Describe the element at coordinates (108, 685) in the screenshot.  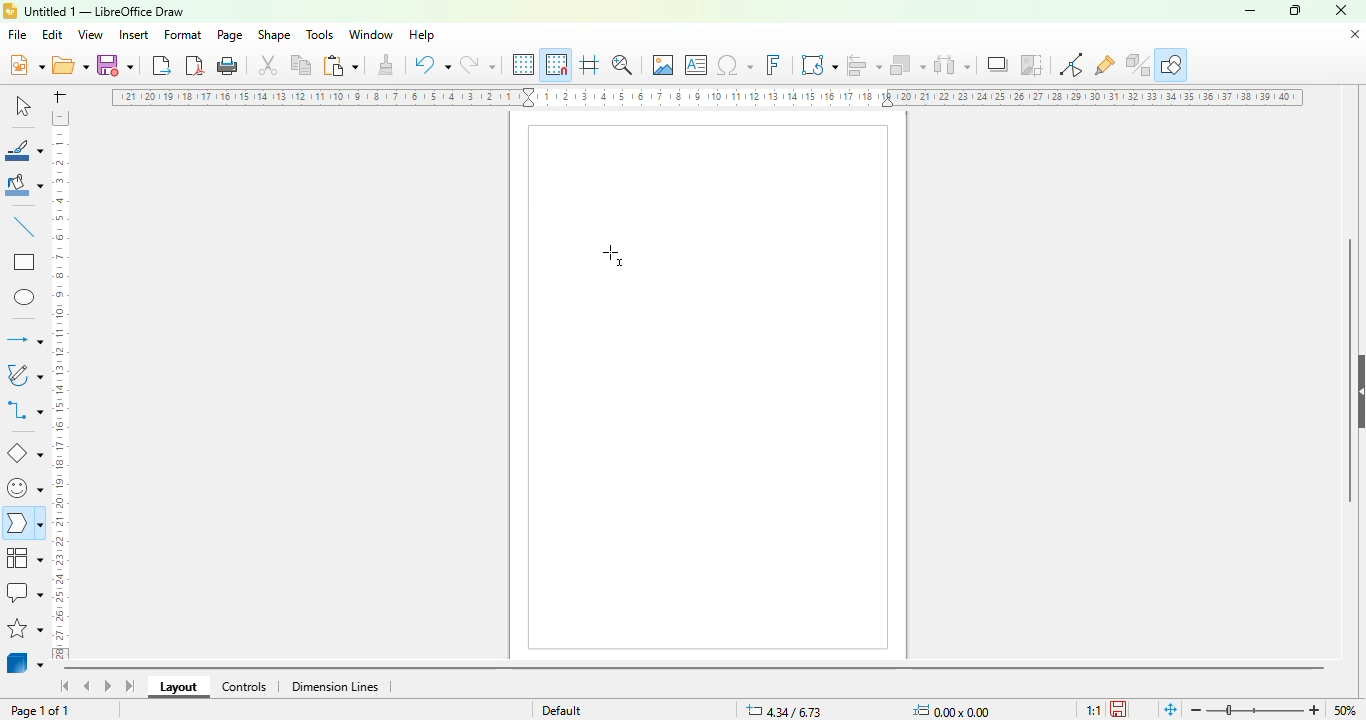
I see `scroll to next sheet` at that location.